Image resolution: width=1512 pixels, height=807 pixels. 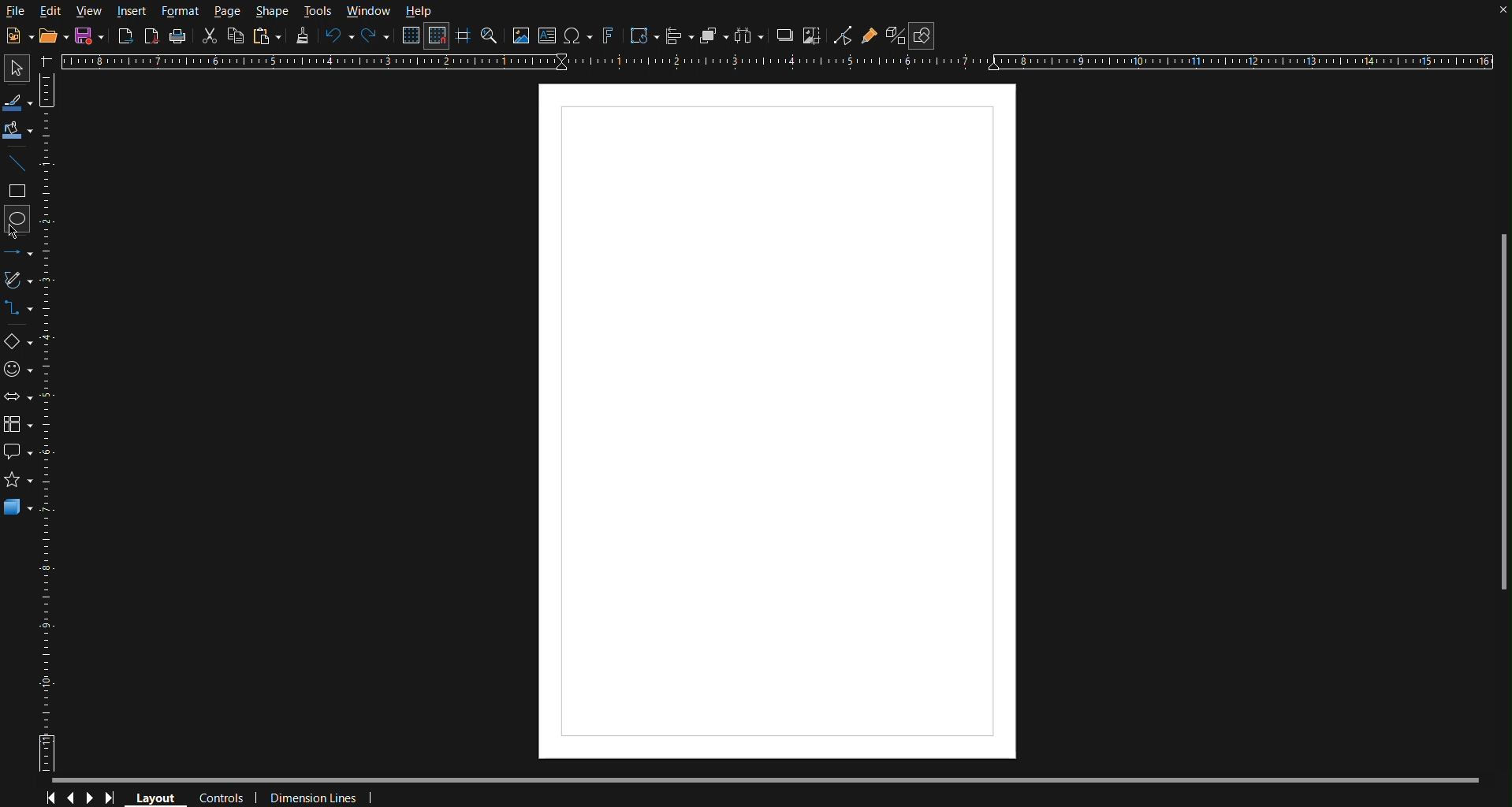 I want to click on Basic Shapes, so click(x=17, y=338).